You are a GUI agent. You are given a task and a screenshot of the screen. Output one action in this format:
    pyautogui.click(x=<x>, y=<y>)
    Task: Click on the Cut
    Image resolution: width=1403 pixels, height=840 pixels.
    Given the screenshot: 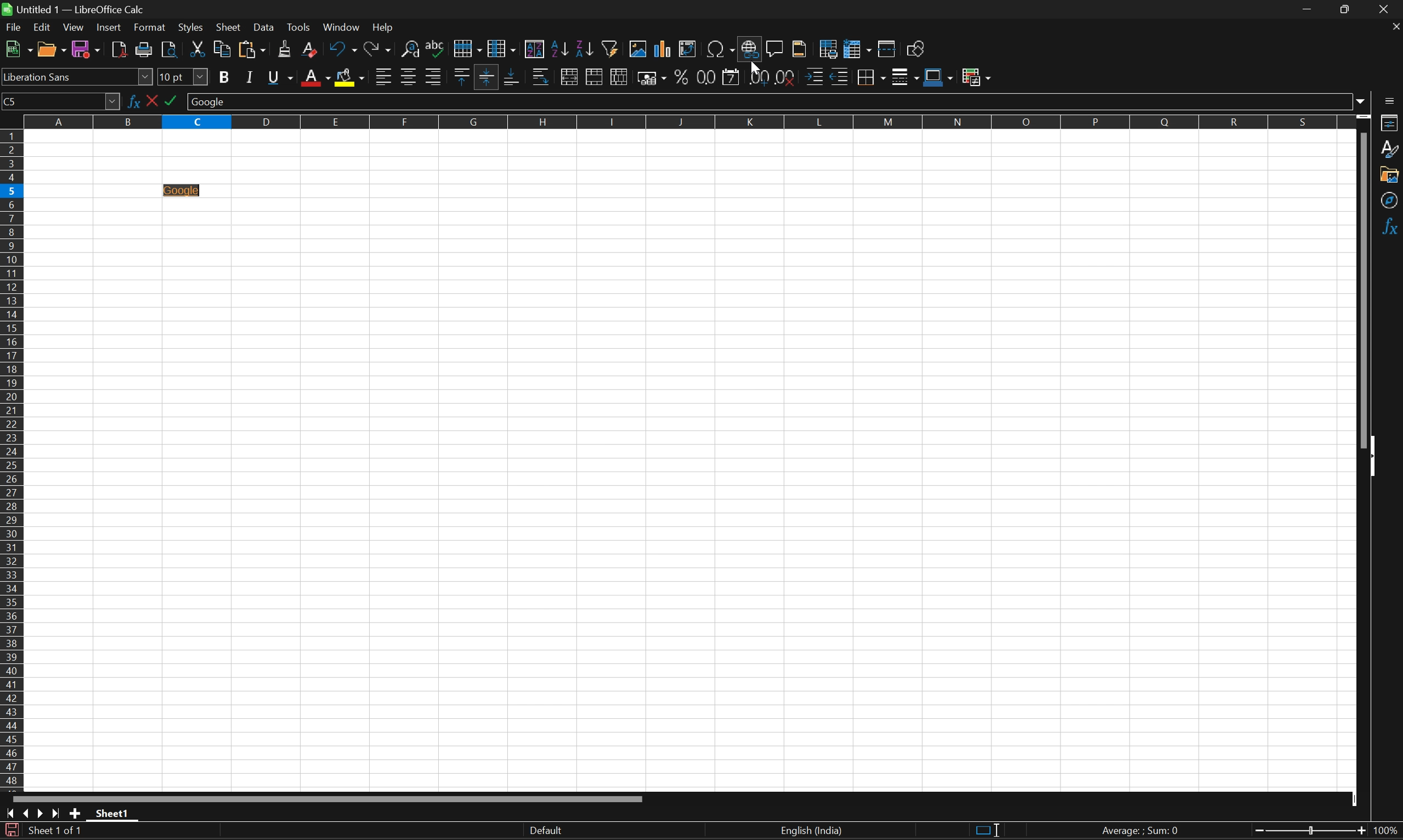 What is the action you would take?
    pyautogui.click(x=199, y=48)
    